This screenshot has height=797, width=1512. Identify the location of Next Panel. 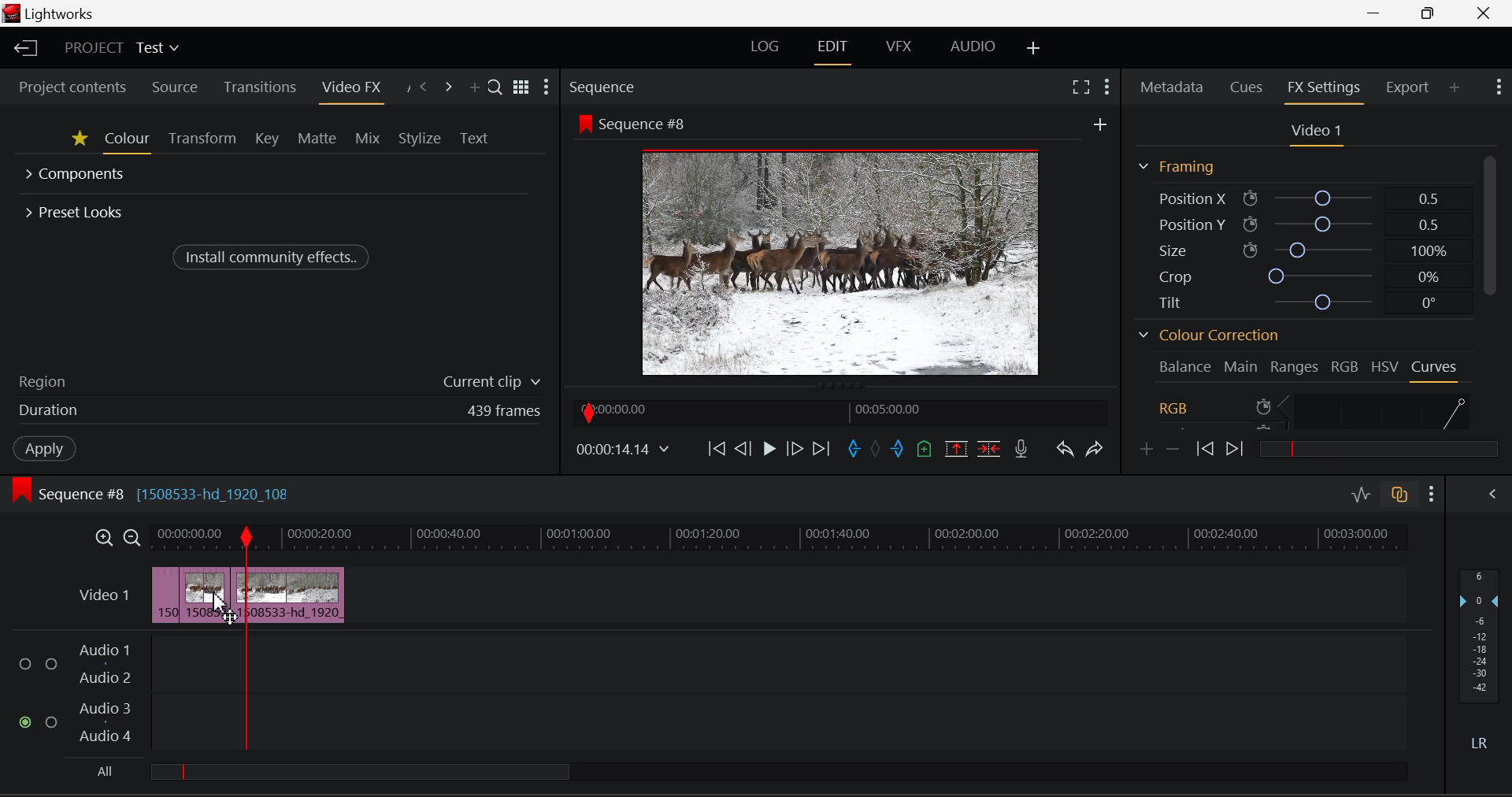
(448, 85).